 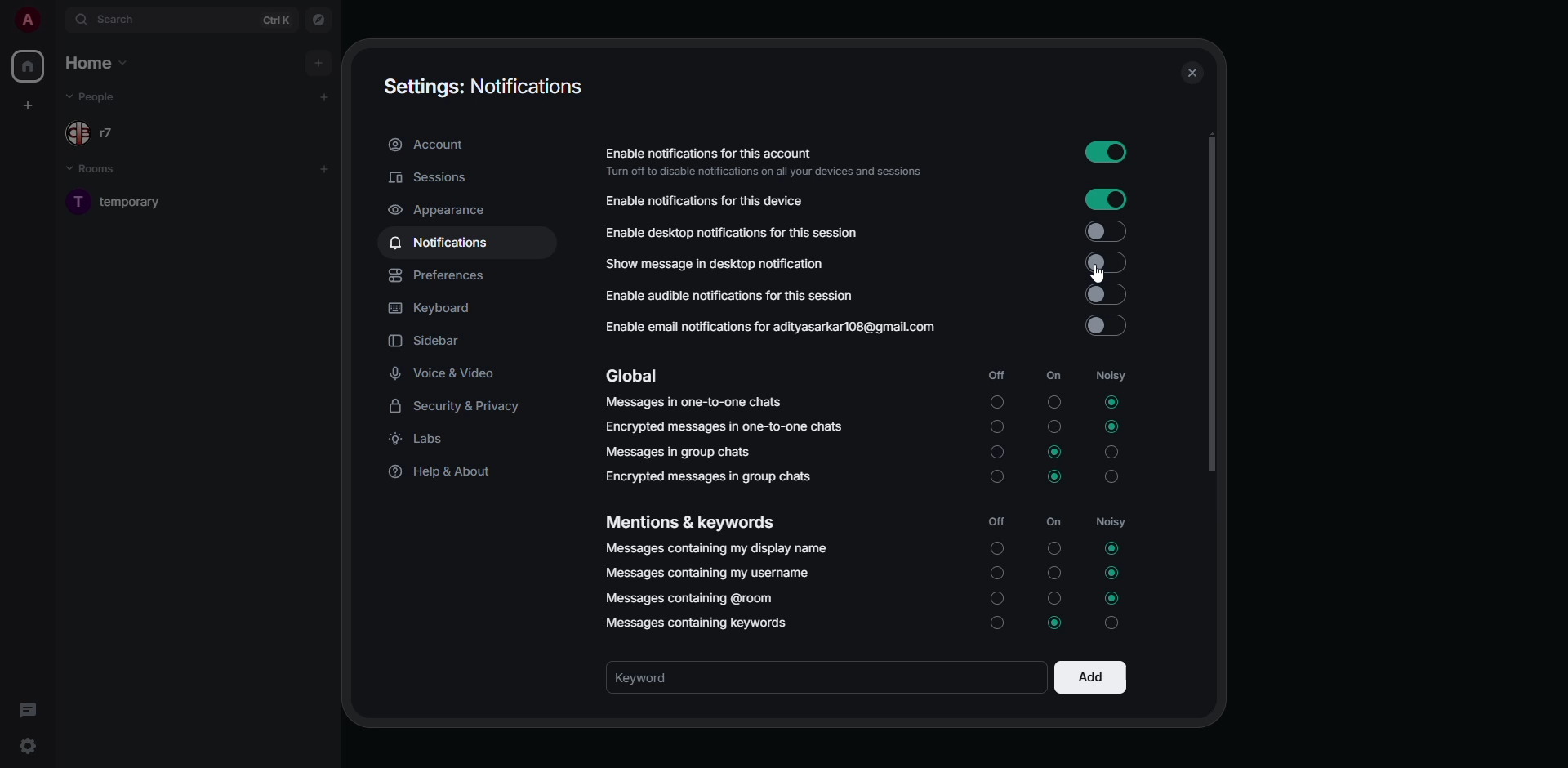 What do you see at coordinates (446, 471) in the screenshot?
I see `help & about` at bounding box center [446, 471].